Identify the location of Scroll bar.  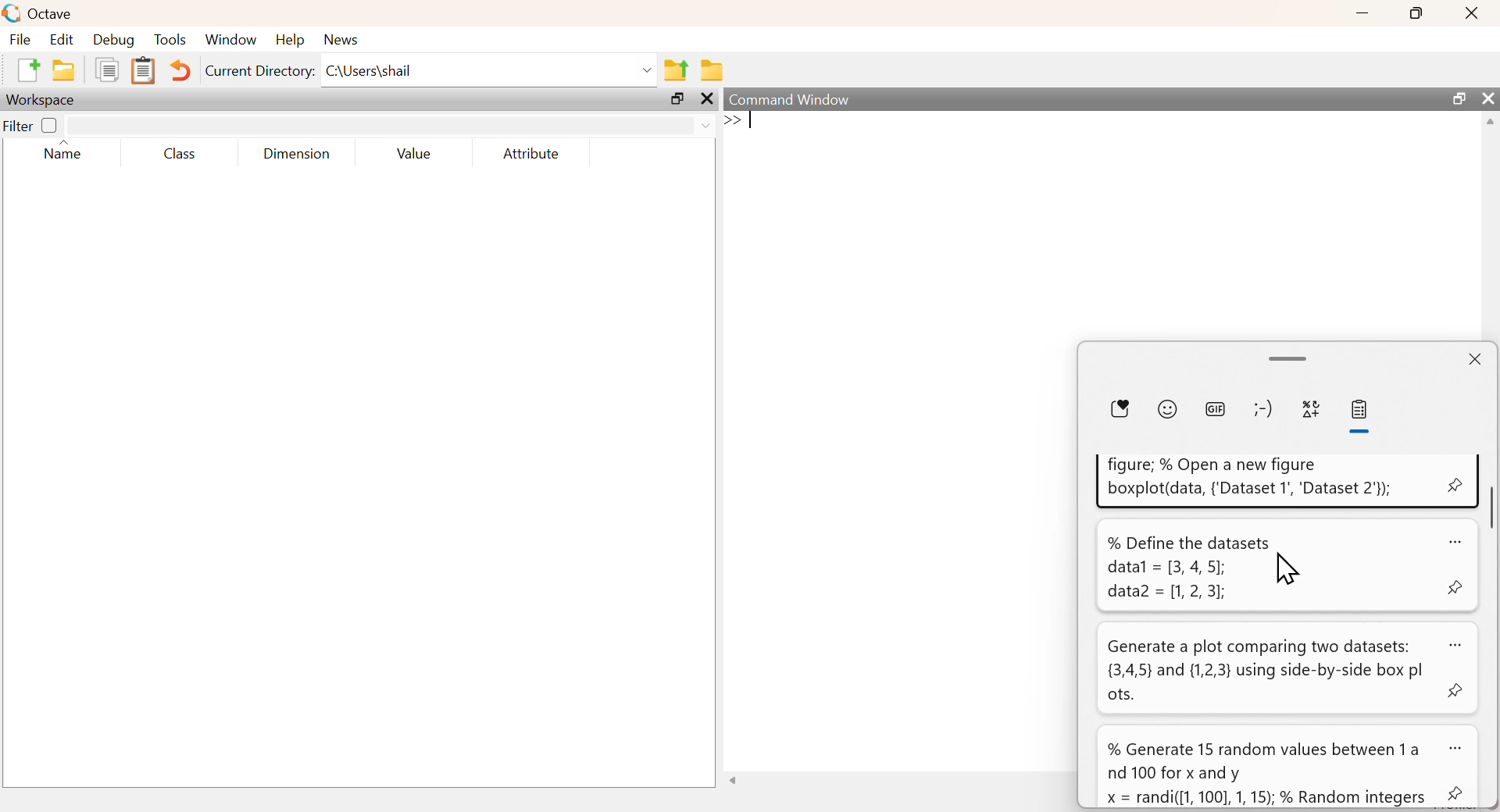
(1491, 507).